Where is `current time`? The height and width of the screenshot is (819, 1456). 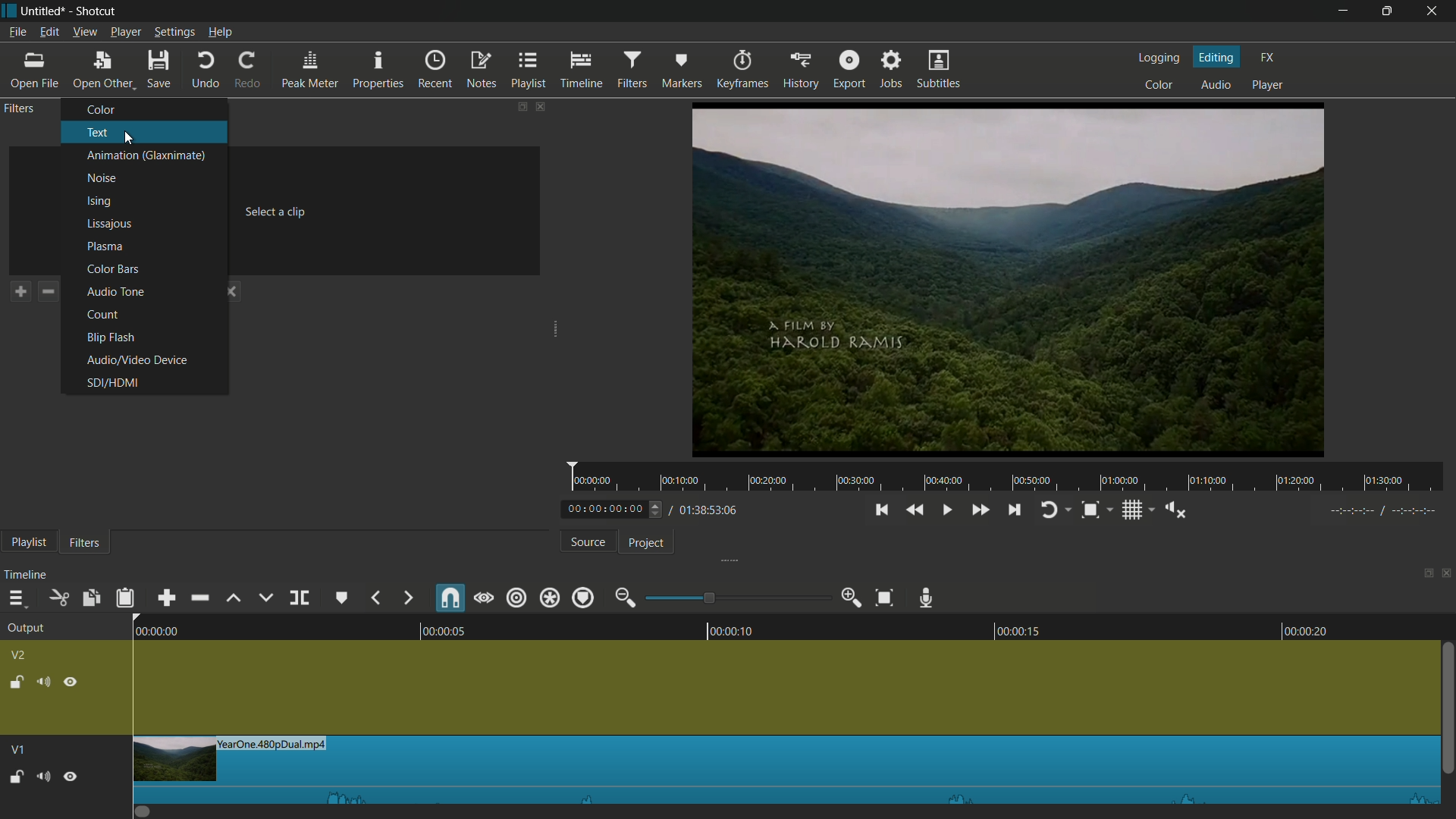
current time is located at coordinates (604, 509).